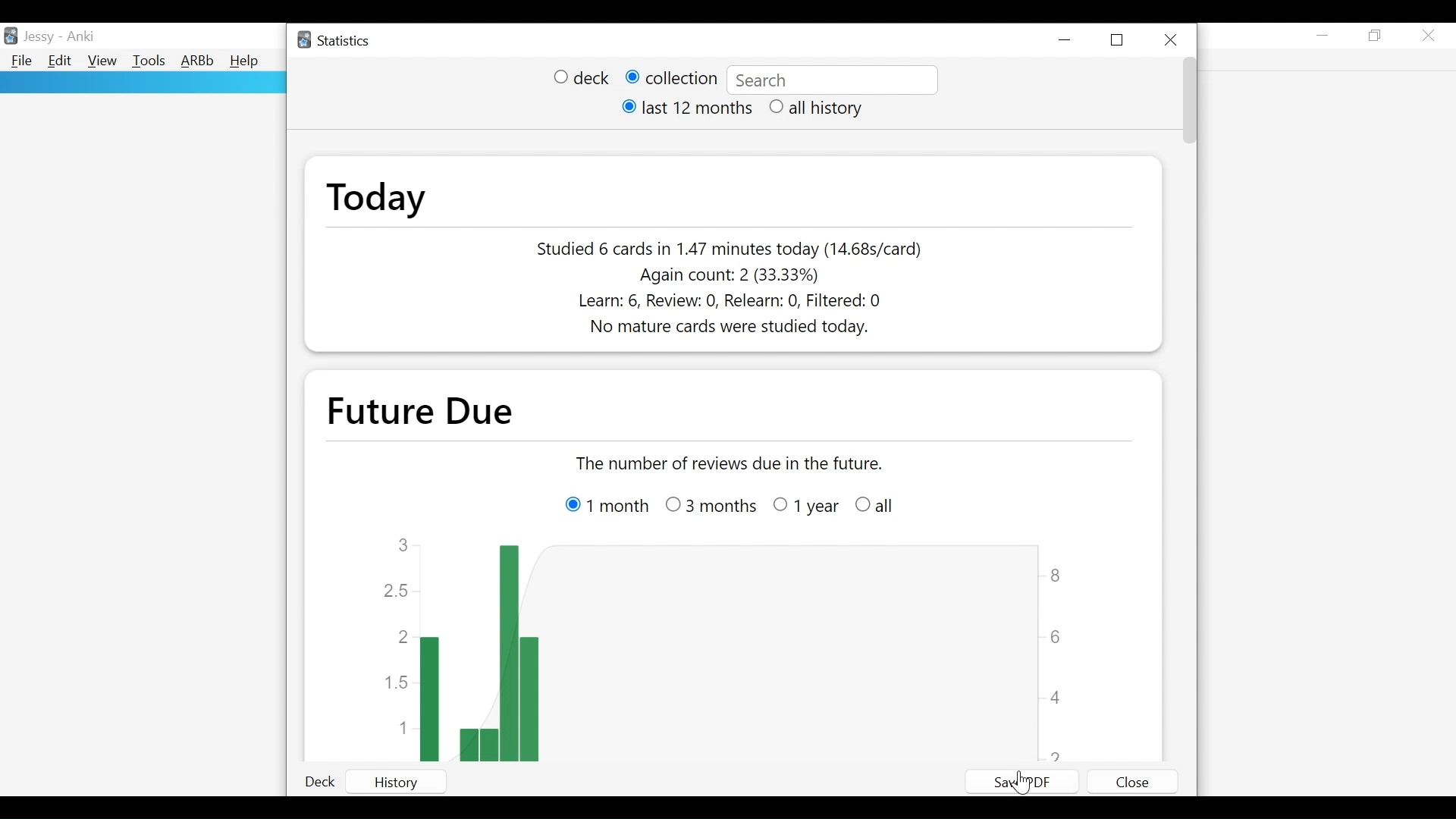  Describe the element at coordinates (336, 41) in the screenshot. I see `Statistics` at that location.